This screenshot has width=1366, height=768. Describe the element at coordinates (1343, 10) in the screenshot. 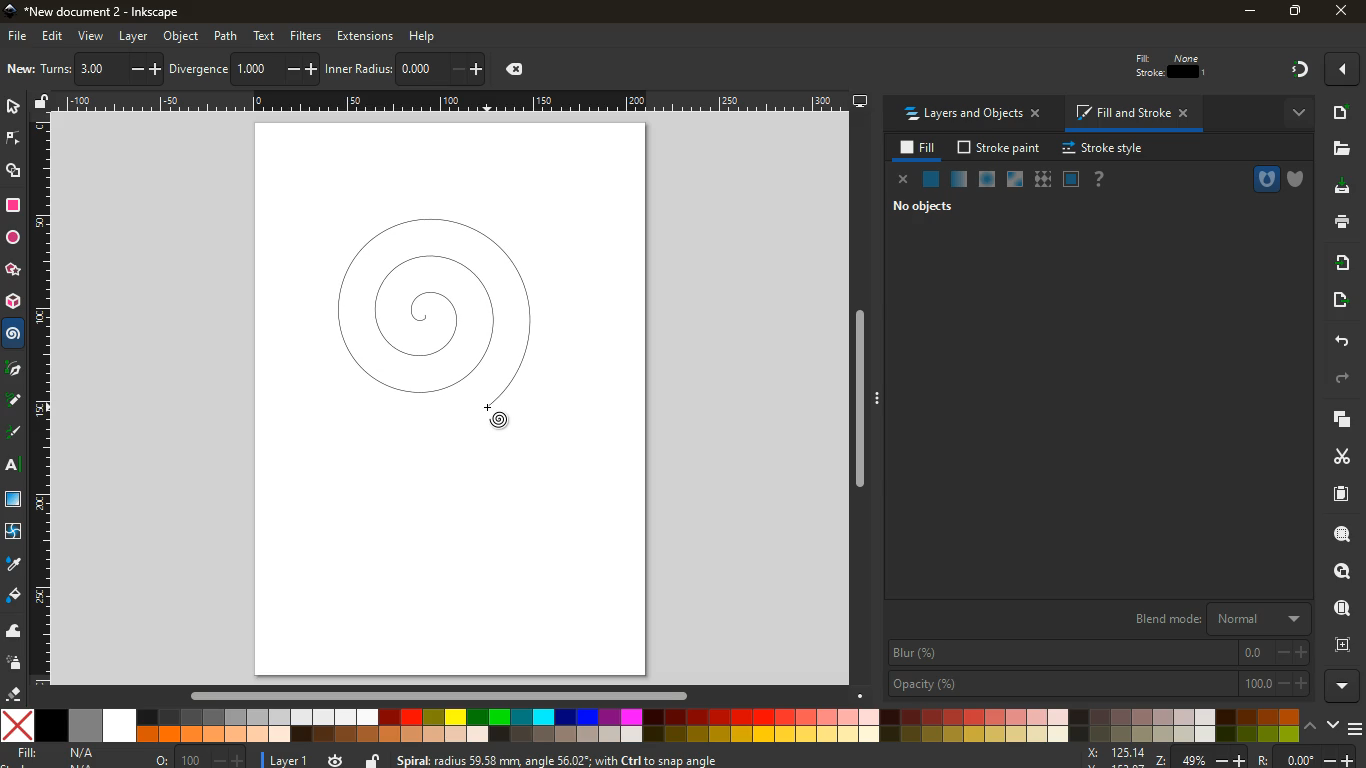

I see `` at that location.